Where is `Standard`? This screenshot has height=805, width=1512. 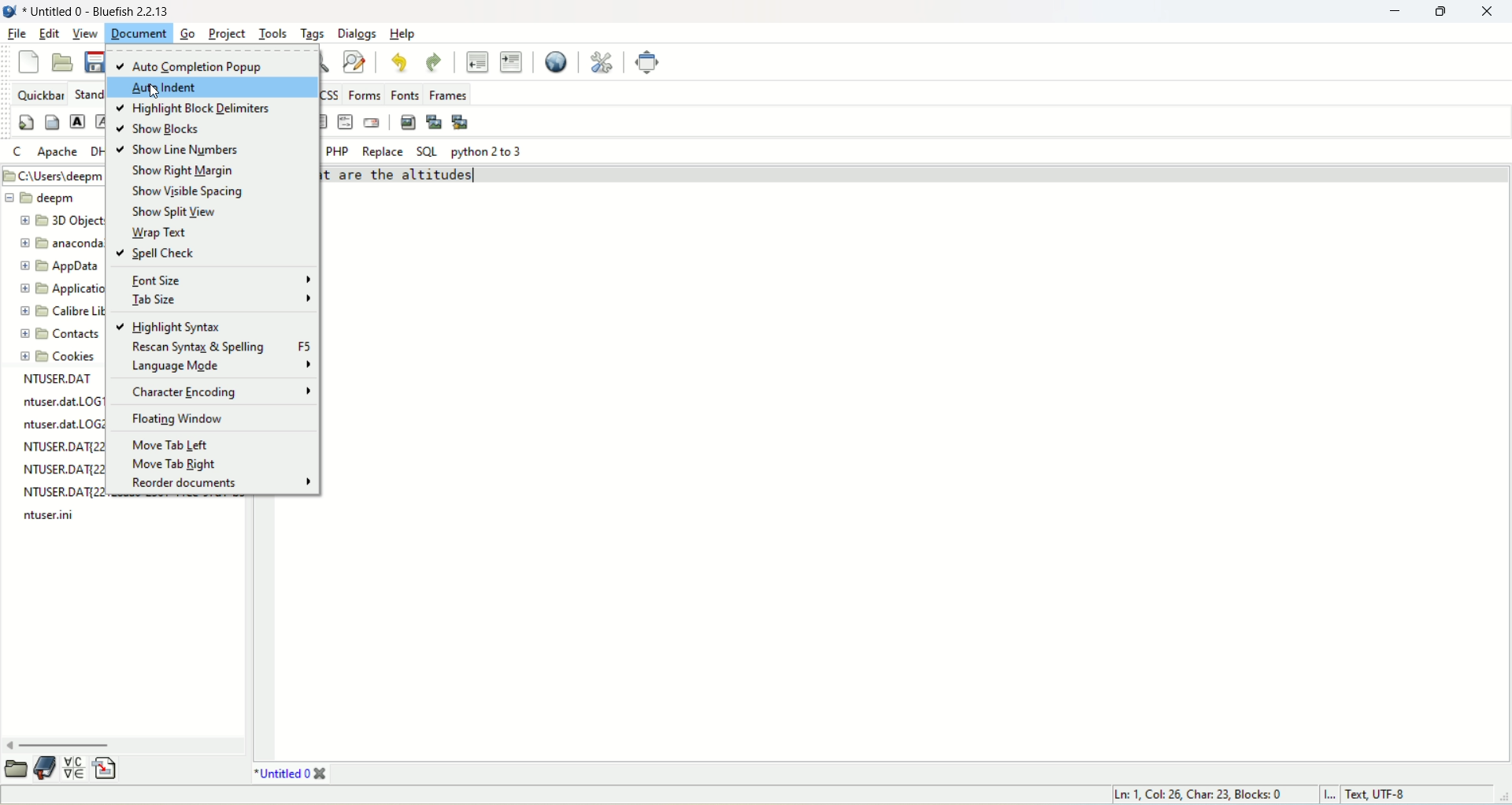
Standard is located at coordinates (90, 95).